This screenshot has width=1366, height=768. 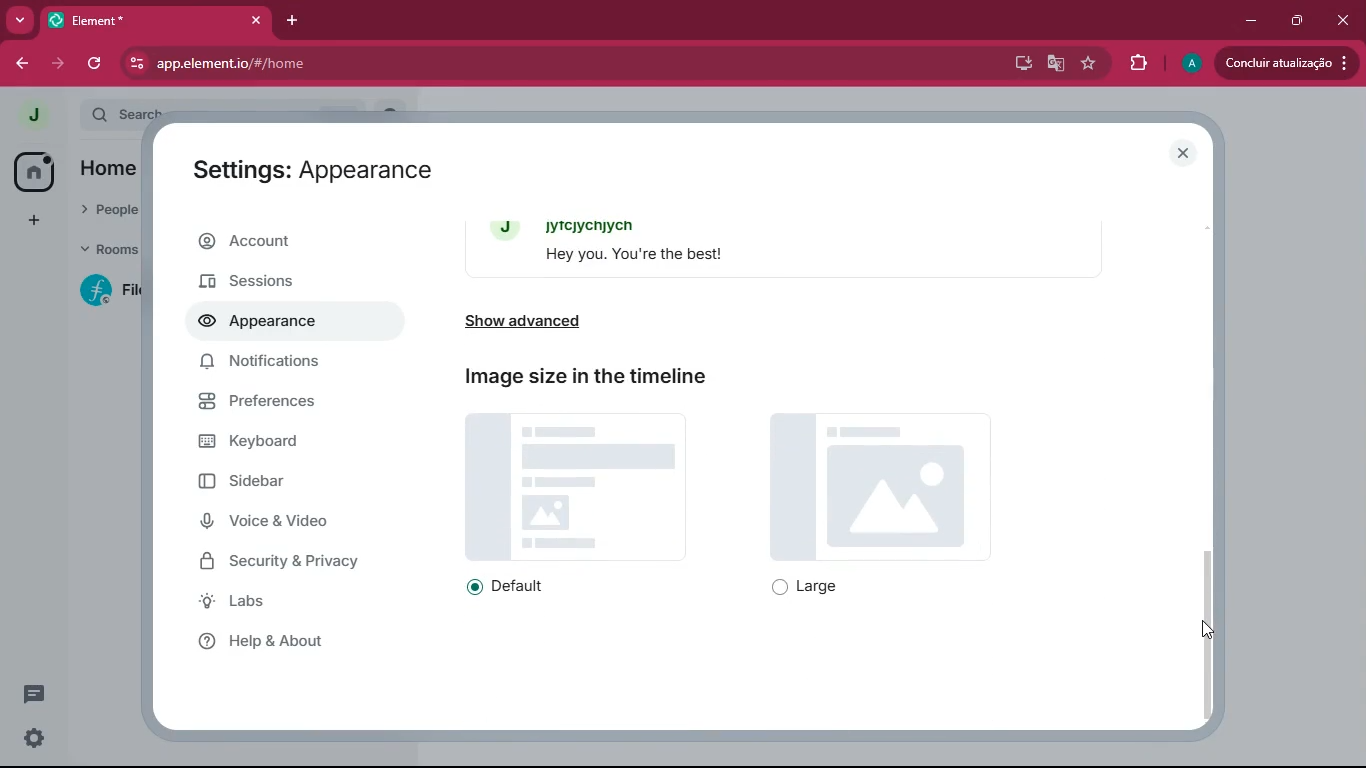 What do you see at coordinates (1186, 154) in the screenshot?
I see `close` at bounding box center [1186, 154].